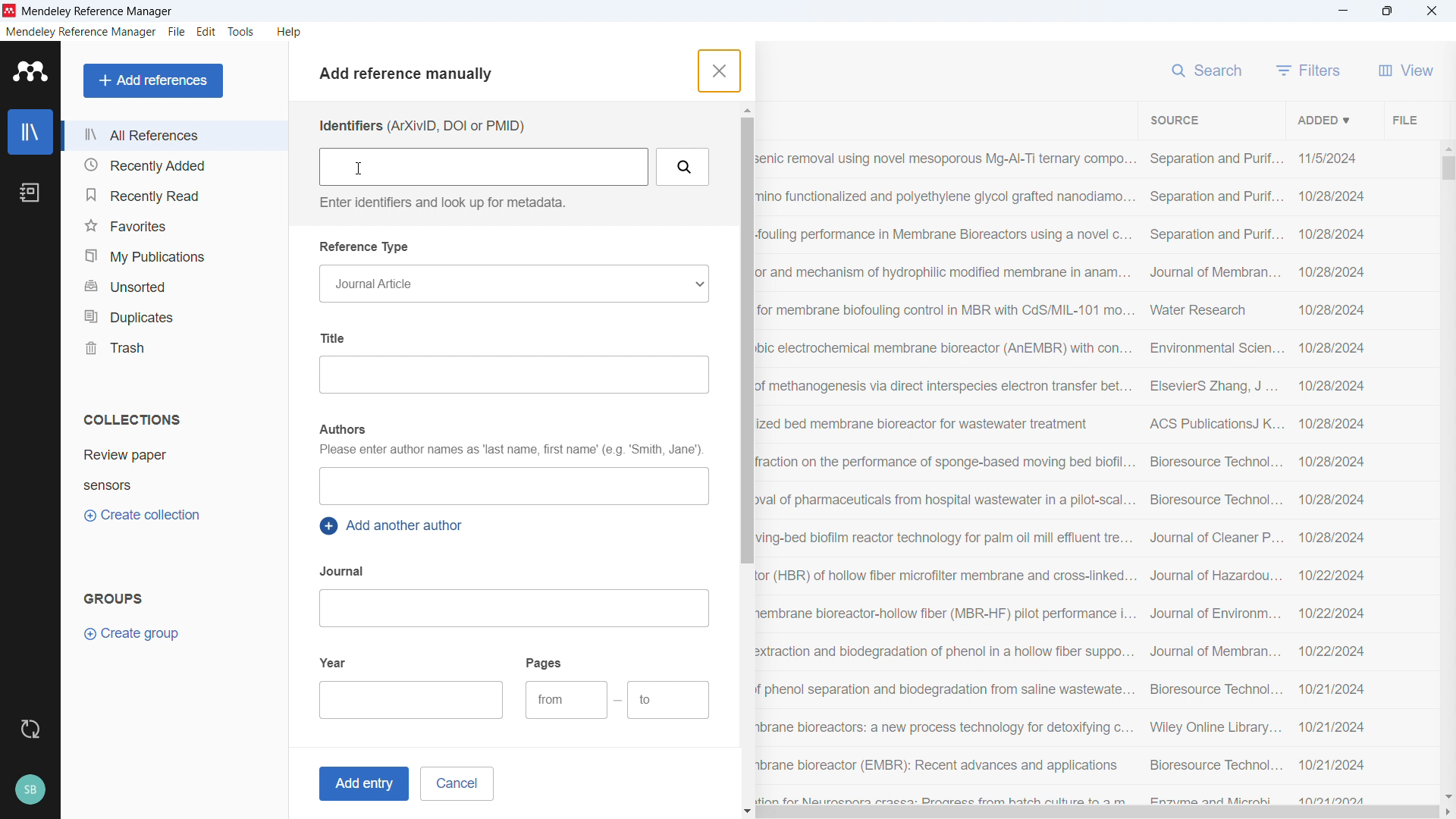 Image resolution: width=1456 pixels, height=819 pixels. What do you see at coordinates (174, 284) in the screenshot?
I see `Unsorted ` at bounding box center [174, 284].